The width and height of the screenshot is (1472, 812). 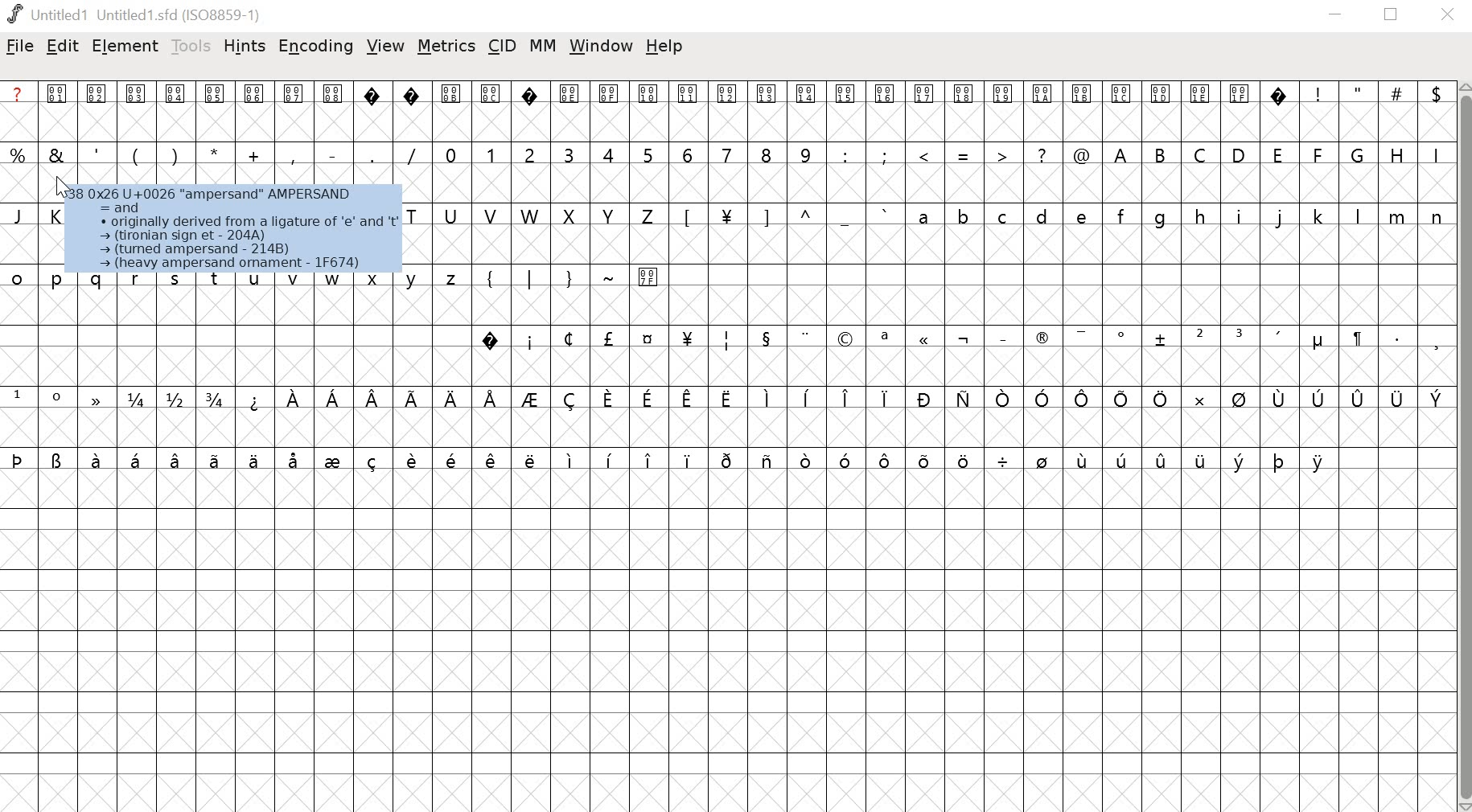 What do you see at coordinates (331, 152) in the screenshot?
I see `-` at bounding box center [331, 152].